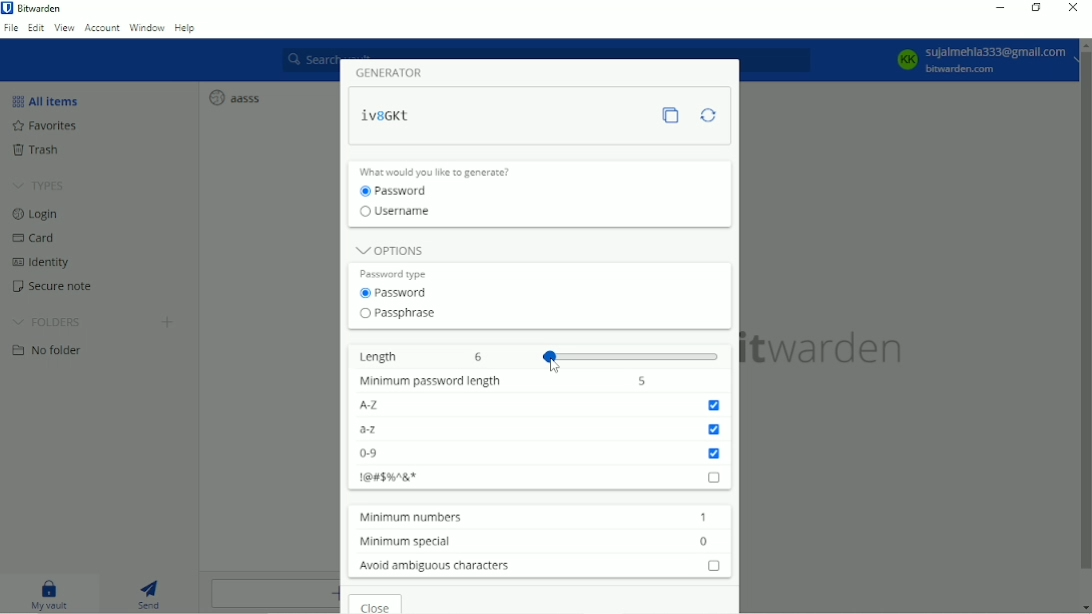 The width and height of the screenshot is (1092, 614). I want to click on Generator, so click(395, 72).